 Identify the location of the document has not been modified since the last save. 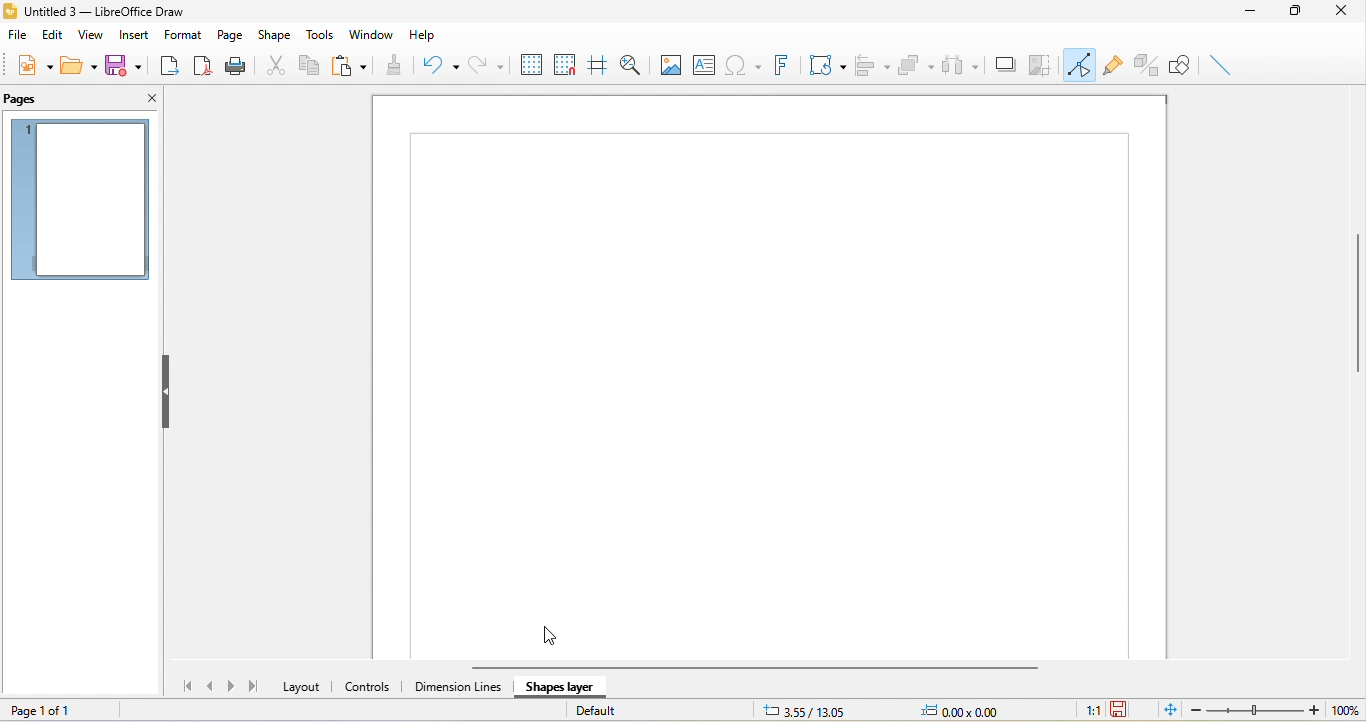
(1127, 710).